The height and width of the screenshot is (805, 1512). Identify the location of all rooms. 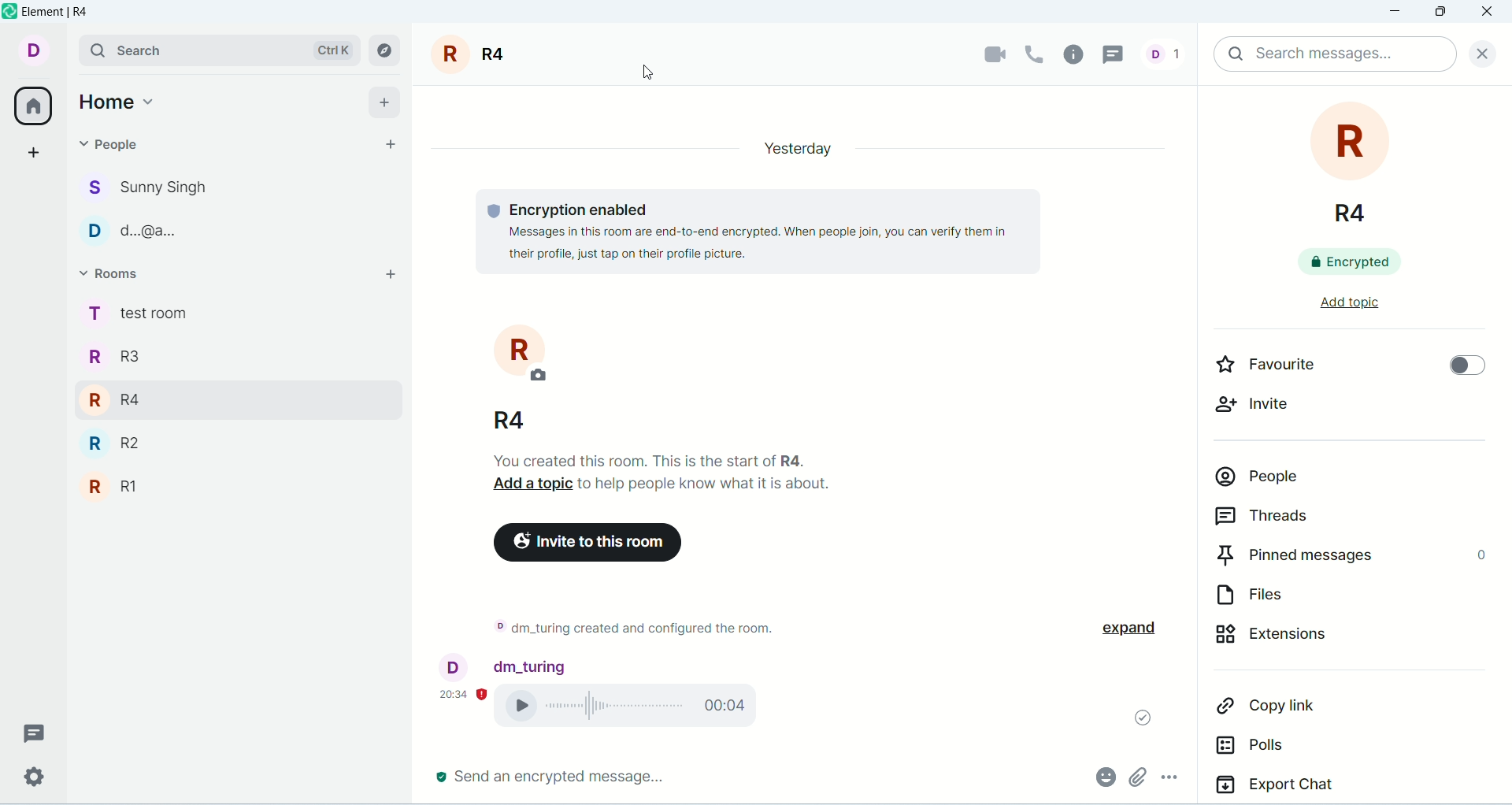
(31, 109).